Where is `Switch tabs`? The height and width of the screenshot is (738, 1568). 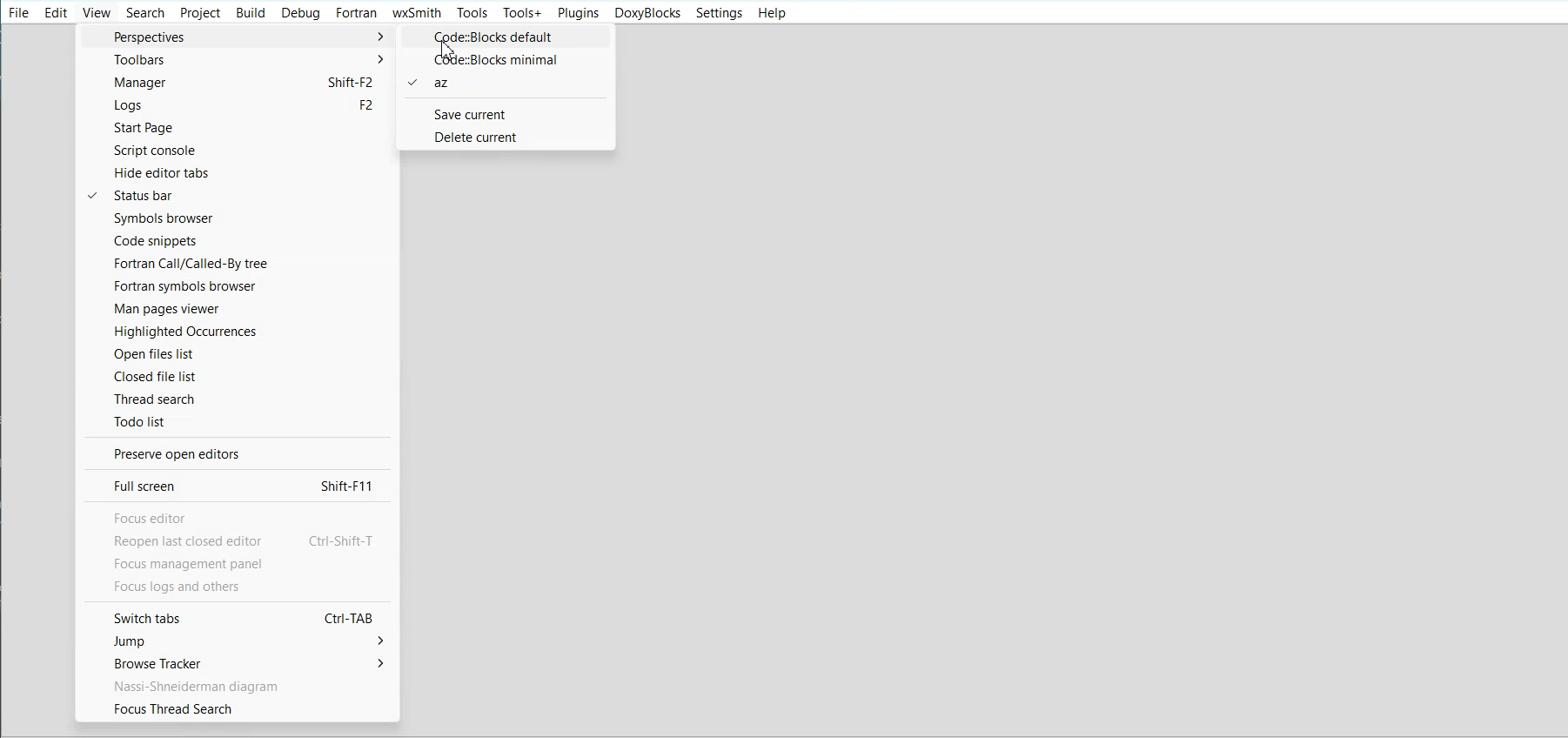
Switch tabs is located at coordinates (241, 619).